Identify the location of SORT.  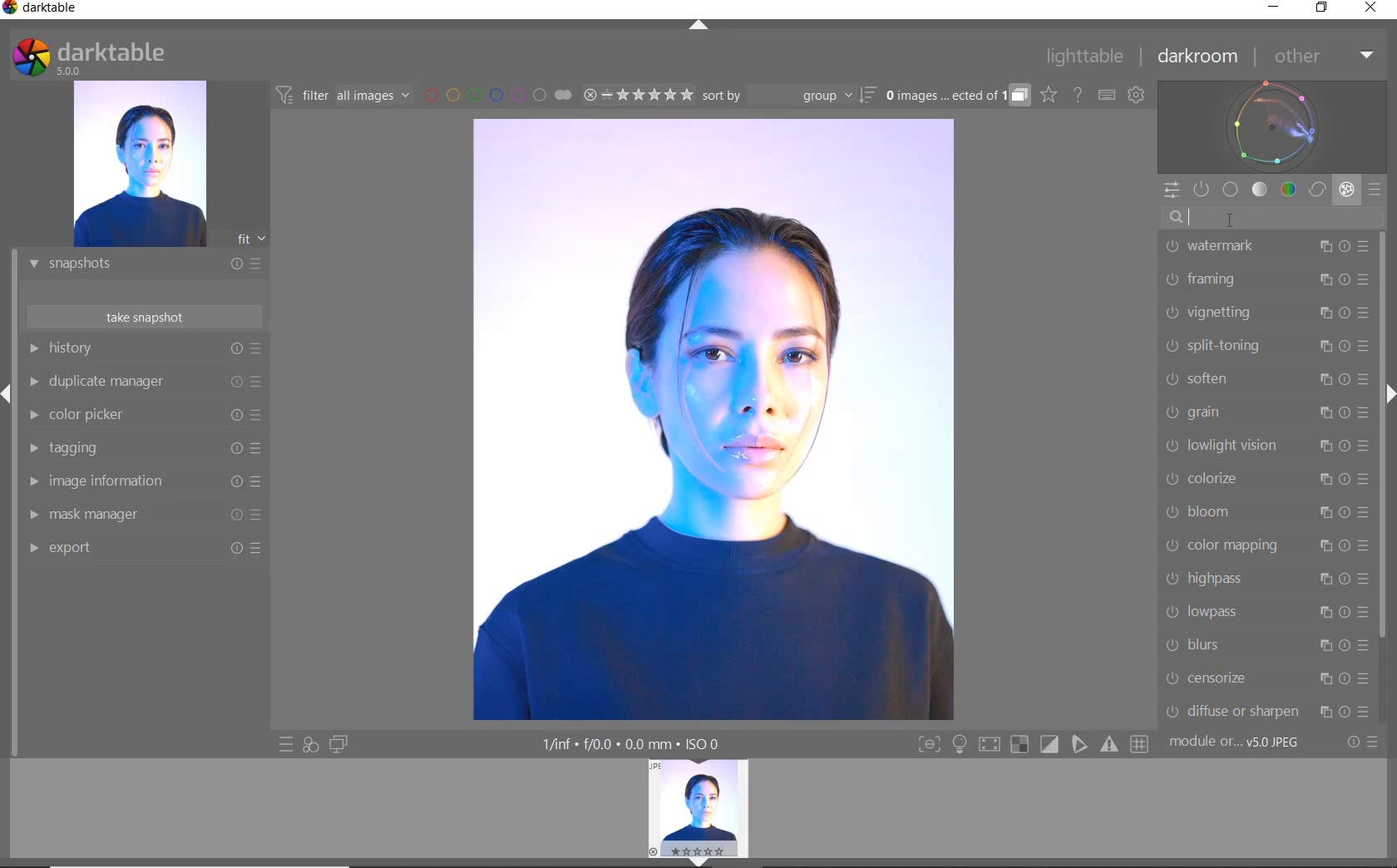
(787, 95).